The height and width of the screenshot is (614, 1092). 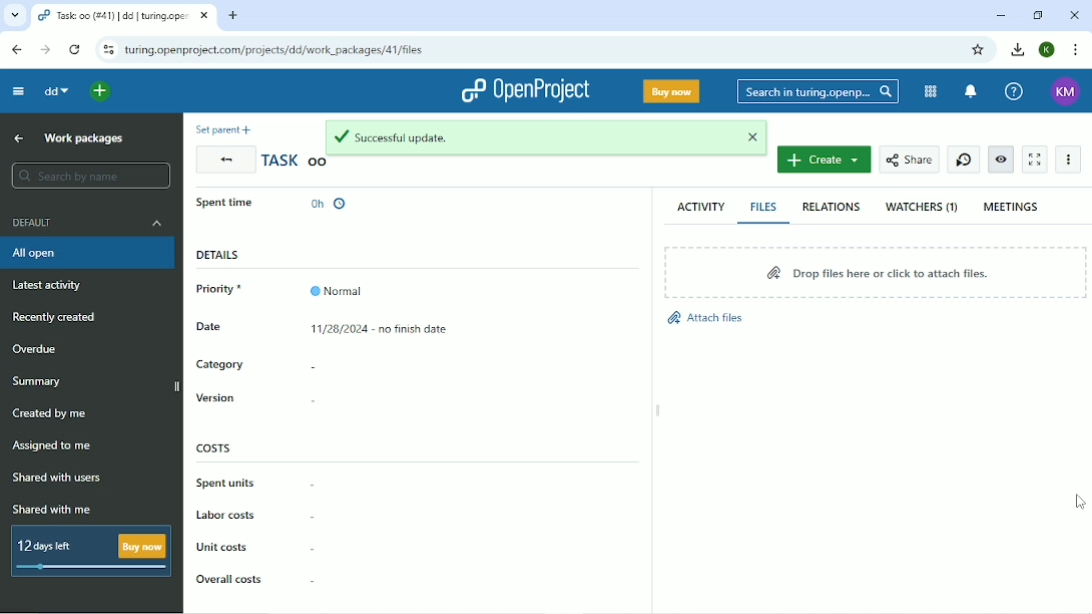 What do you see at coordinates (716, 319) in the screenshot?
I see `Attach files` at bounding box center [716, 319].